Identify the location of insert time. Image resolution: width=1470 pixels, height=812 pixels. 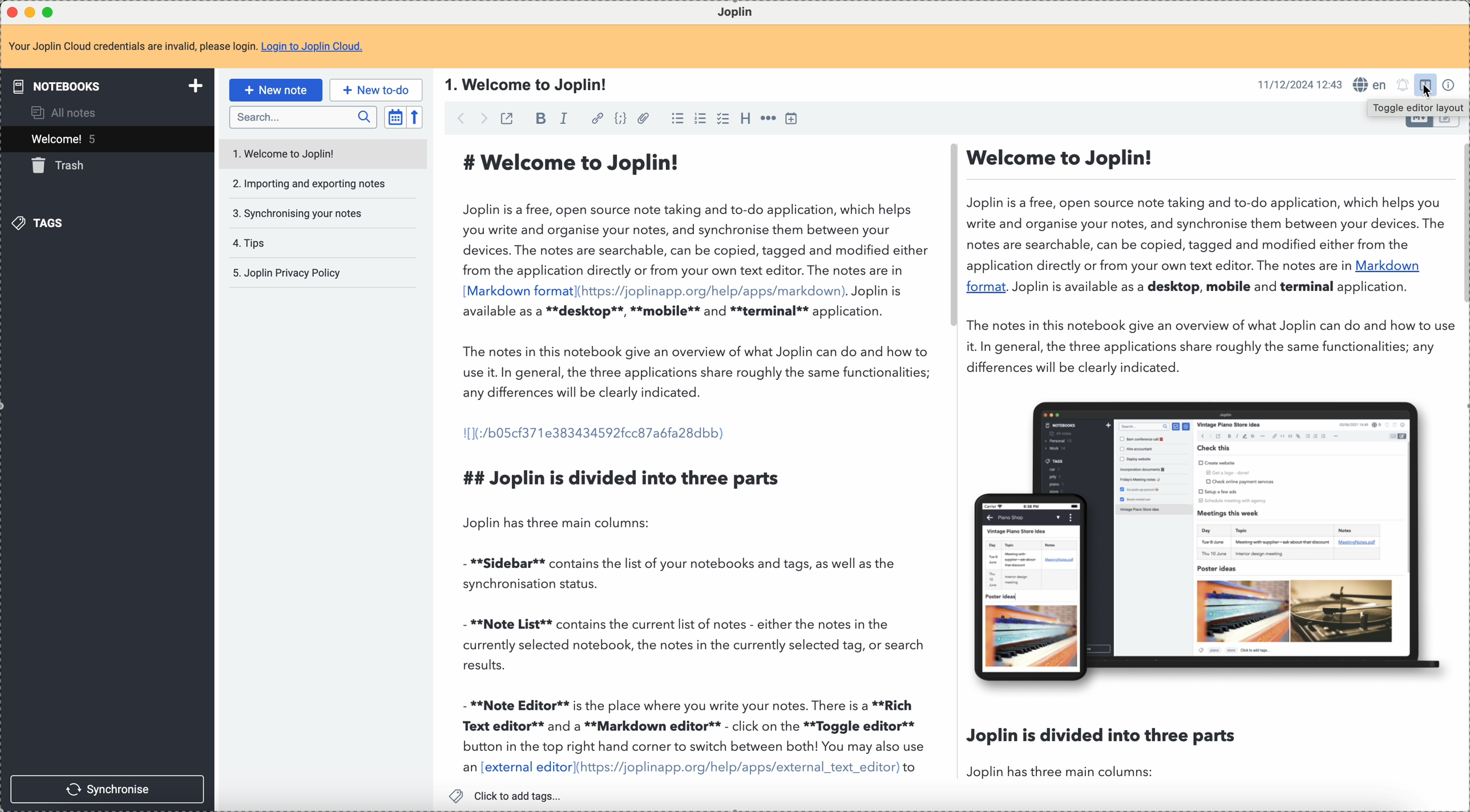
(791, 118).